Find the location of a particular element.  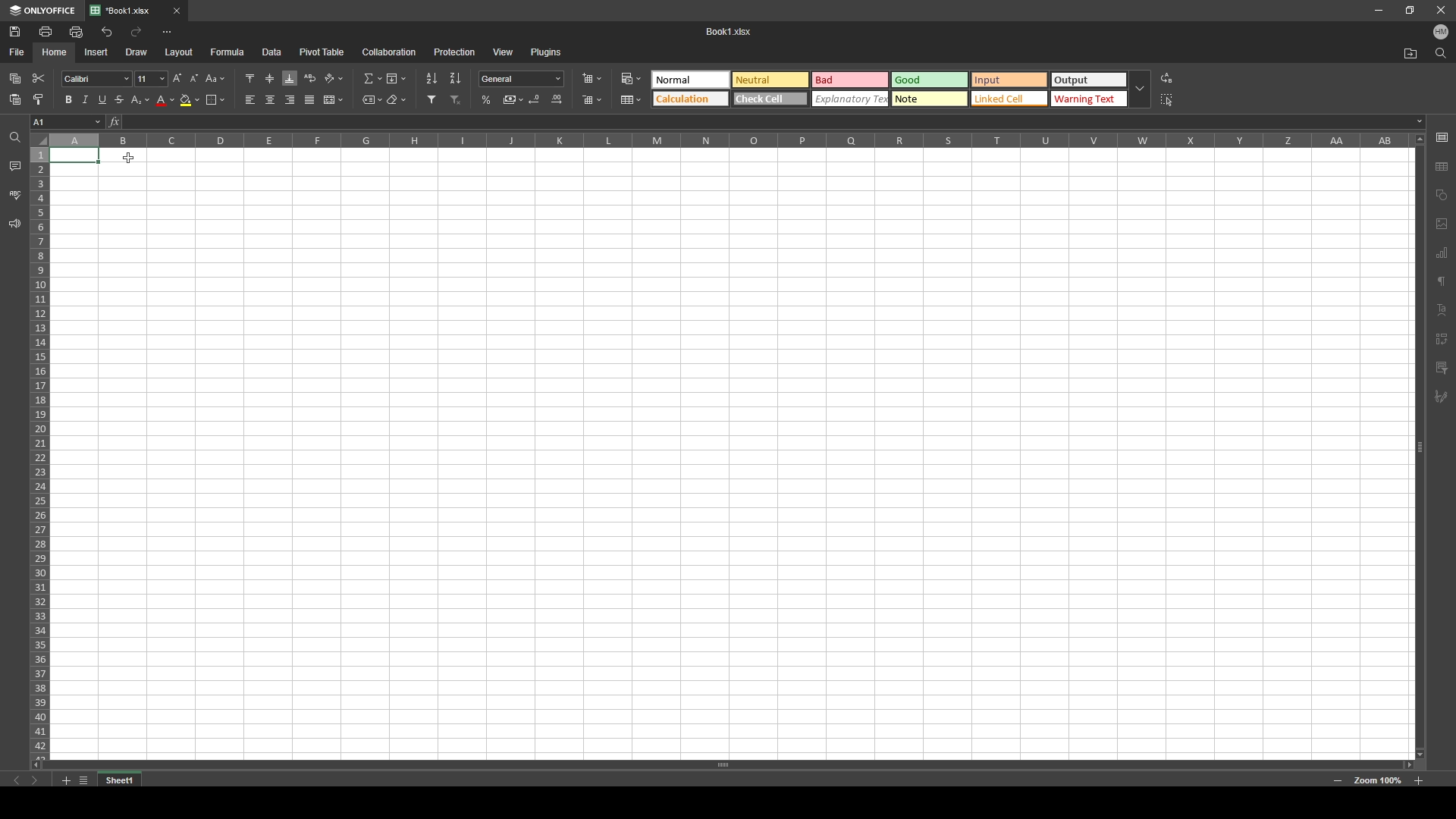

Calculation is located at coordinates (690, 99).